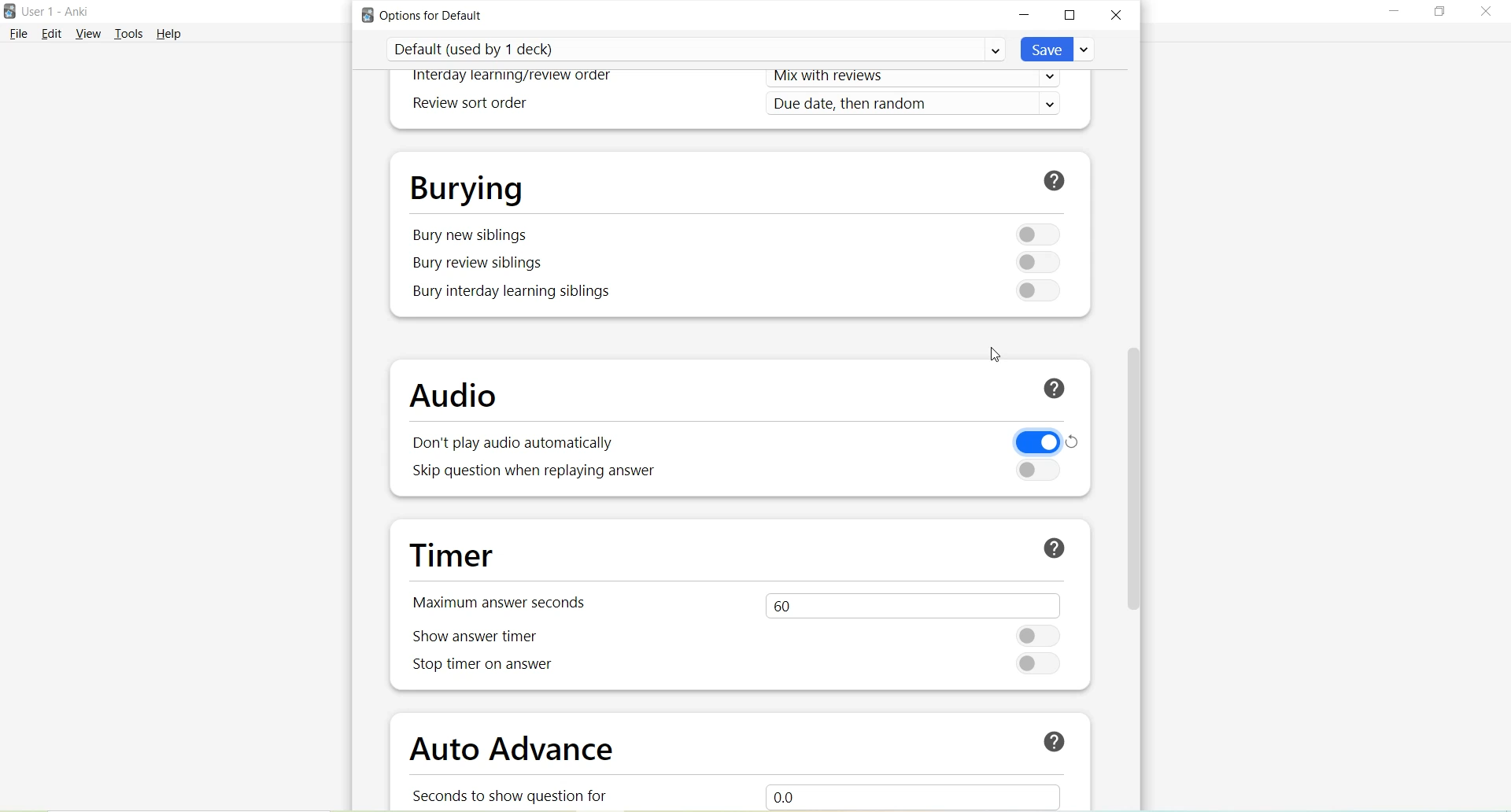 This screenshot has width=1511, height=812. Describe the element at coordinates (1484, 14) in the screenshot. I see `Close` at that location.